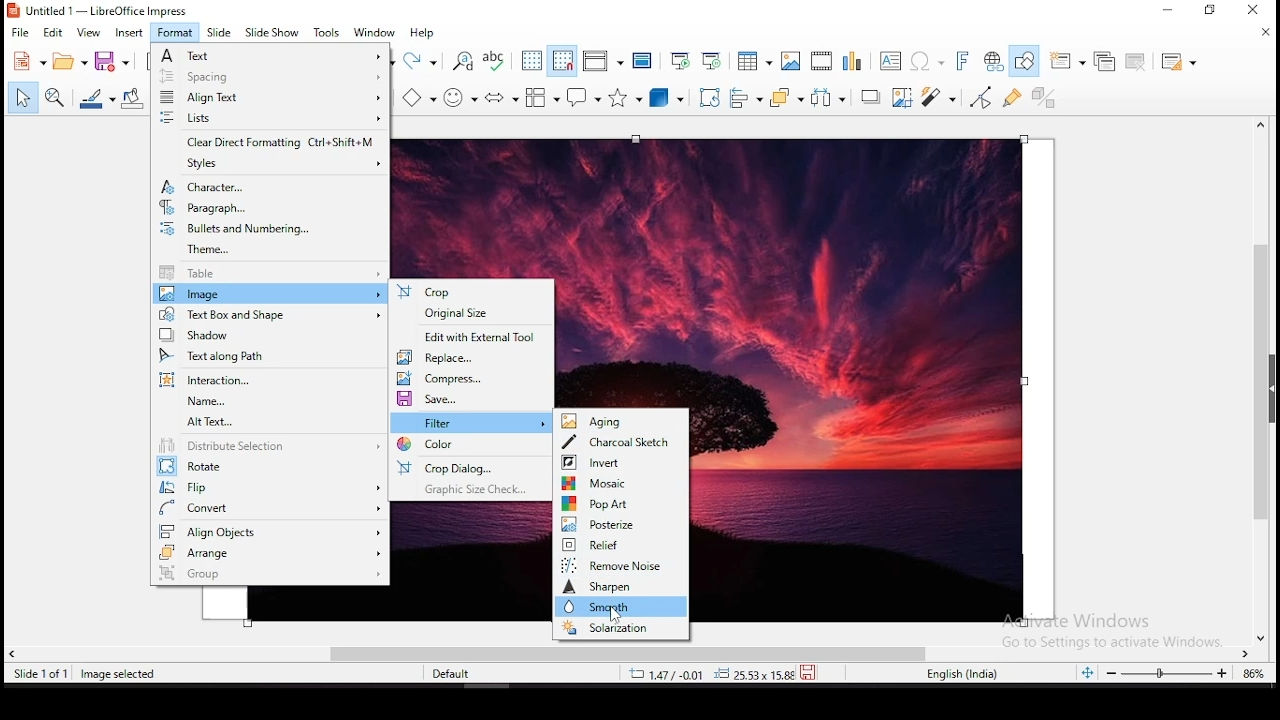  What do you see at coordinates (962, 674) in the screenshot?
I see `english (india)` at bounding box center [962, 674].